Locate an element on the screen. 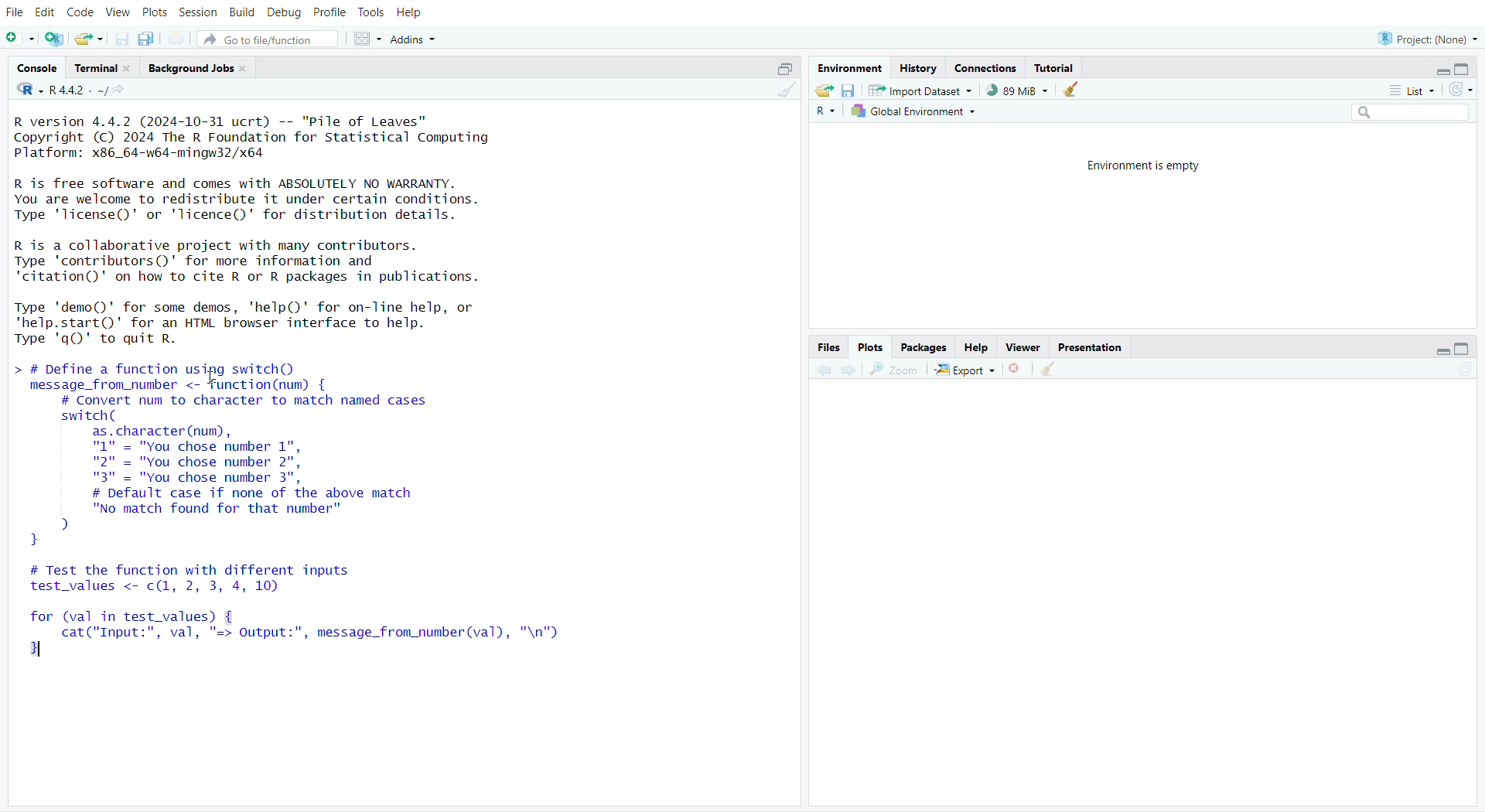 This screenshot has height=812, width=1485. Connections is located at coordinates (985, 67).